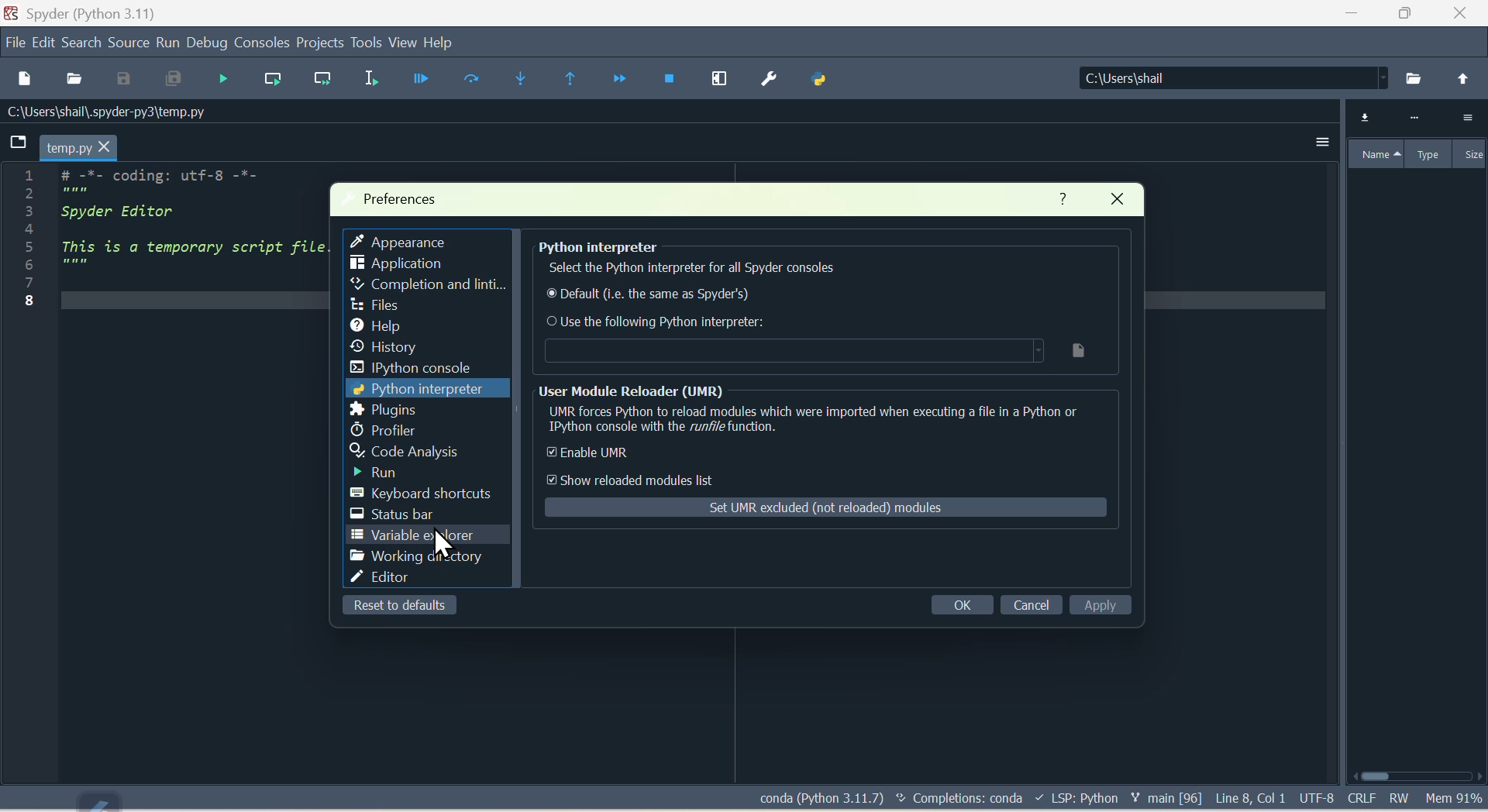 Image resolution: width=1488 pixels, height=812 pixels. I want to click on Run, so click(167, 42).